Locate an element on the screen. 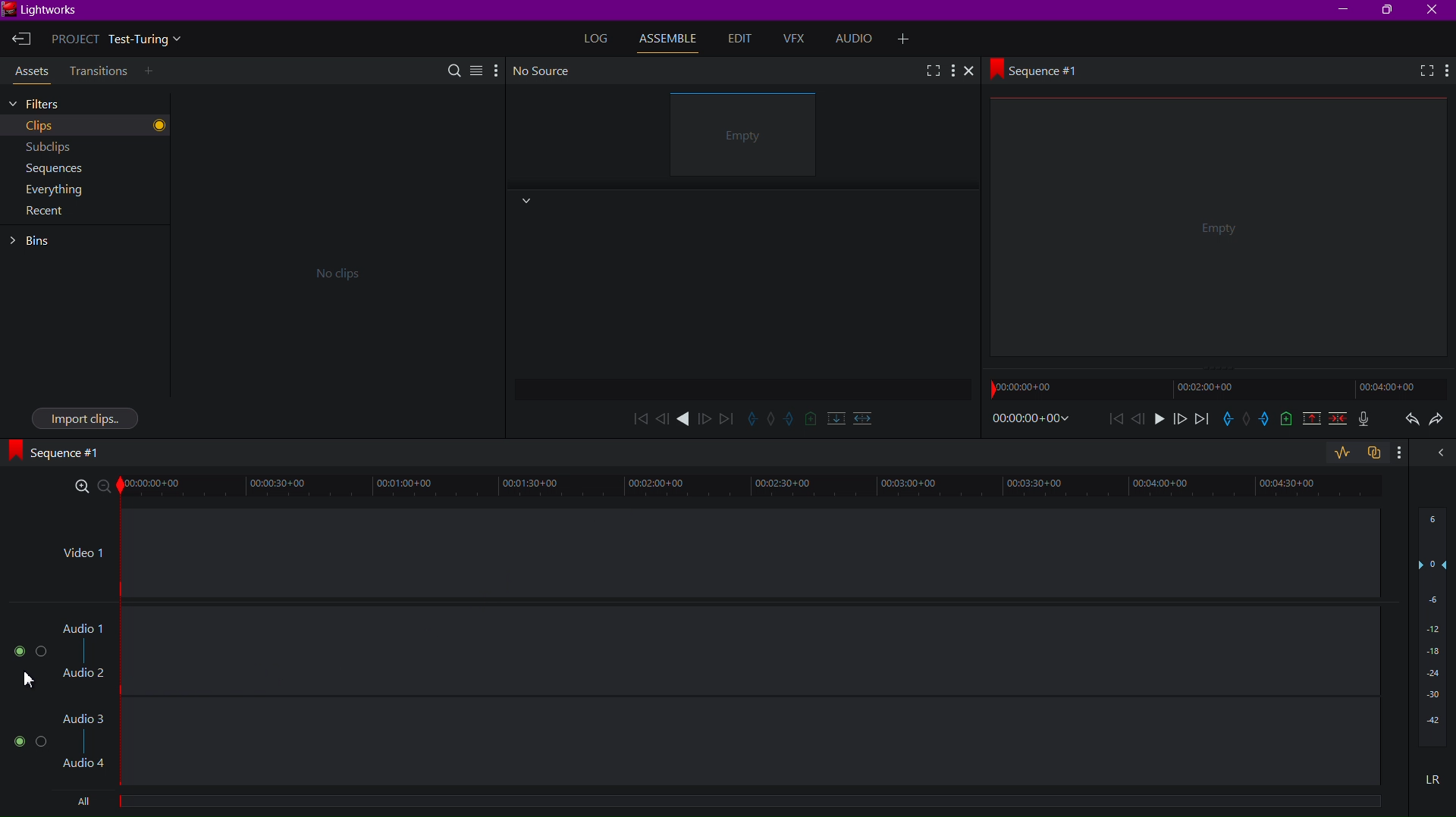  Undo is located at coordinates (1408, 421).